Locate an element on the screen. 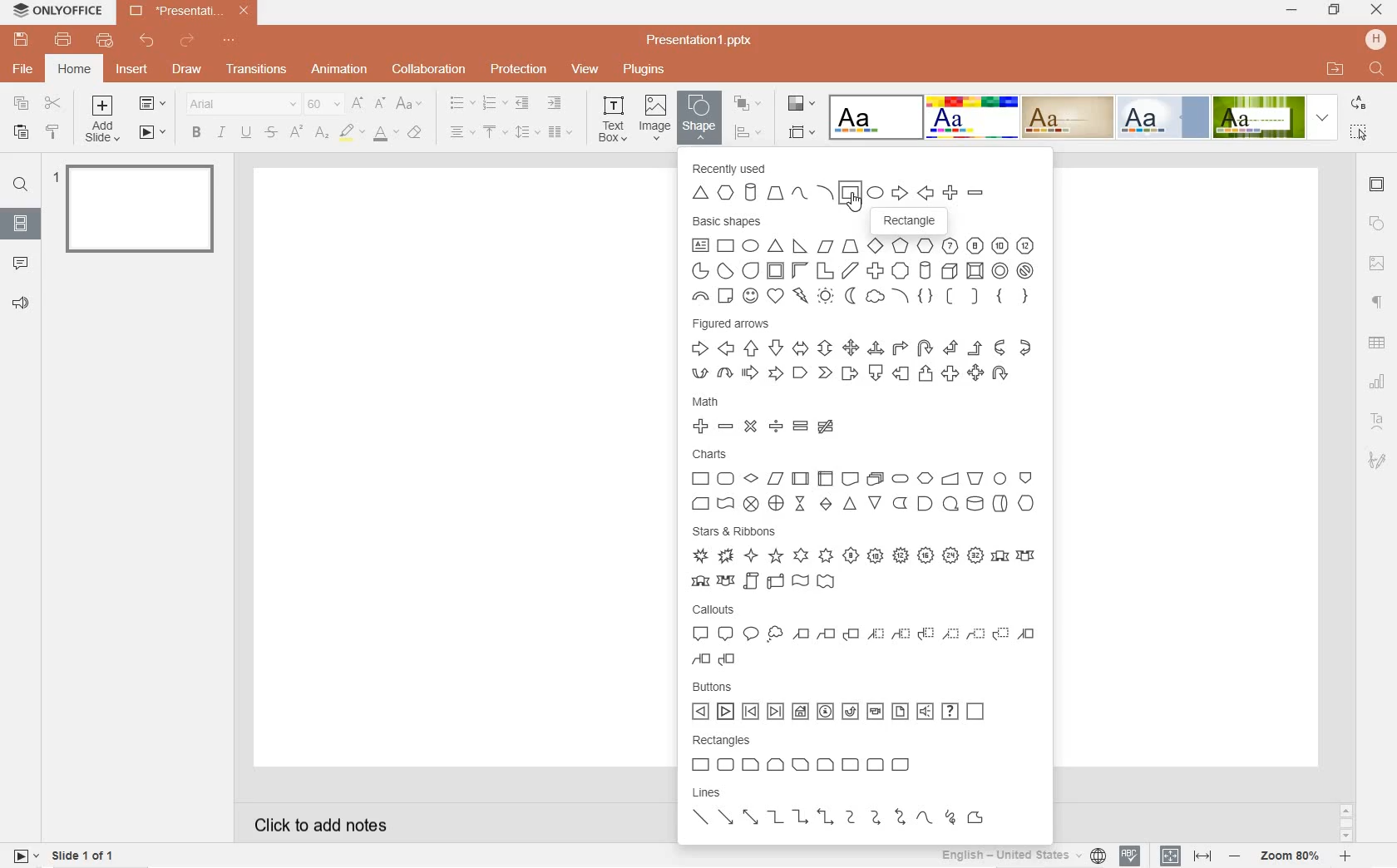  Right Arrow is located at coordinates (699, 349).